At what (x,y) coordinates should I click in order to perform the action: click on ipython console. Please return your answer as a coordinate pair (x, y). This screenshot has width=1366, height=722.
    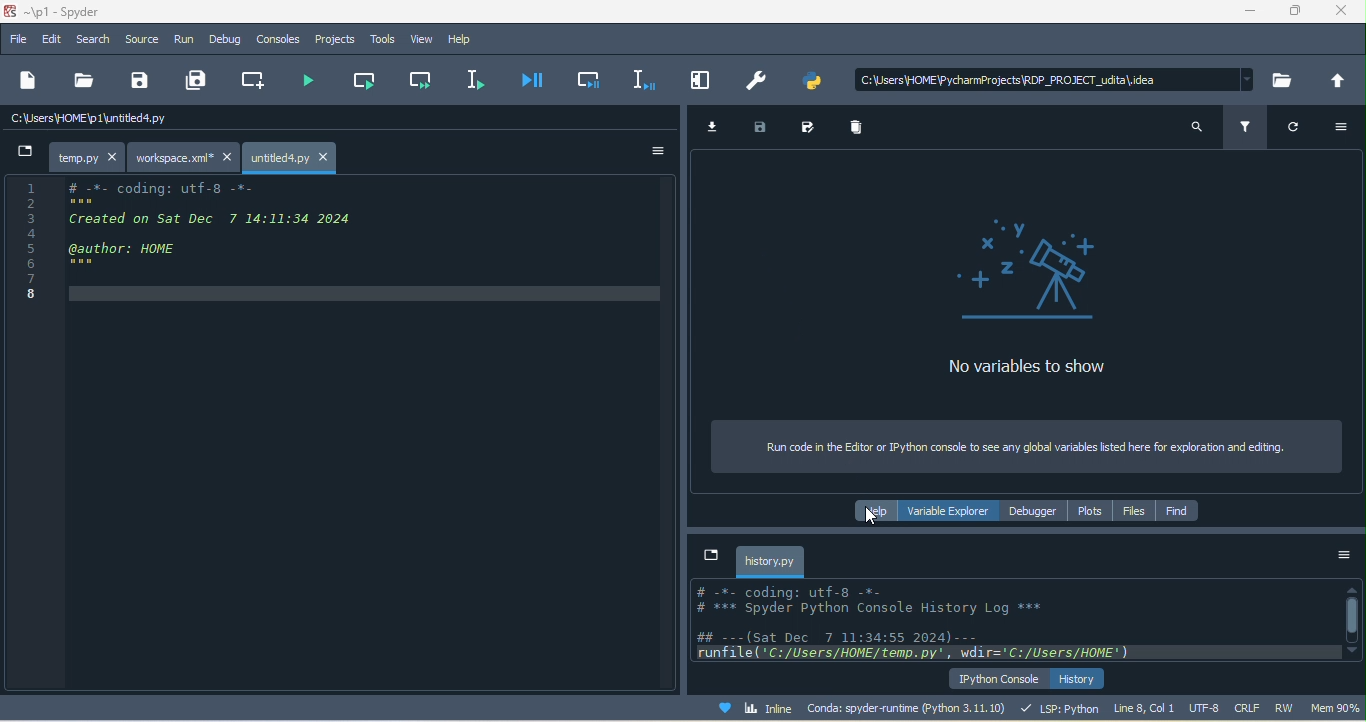
    Looking at the image, I should click on (991, 679).